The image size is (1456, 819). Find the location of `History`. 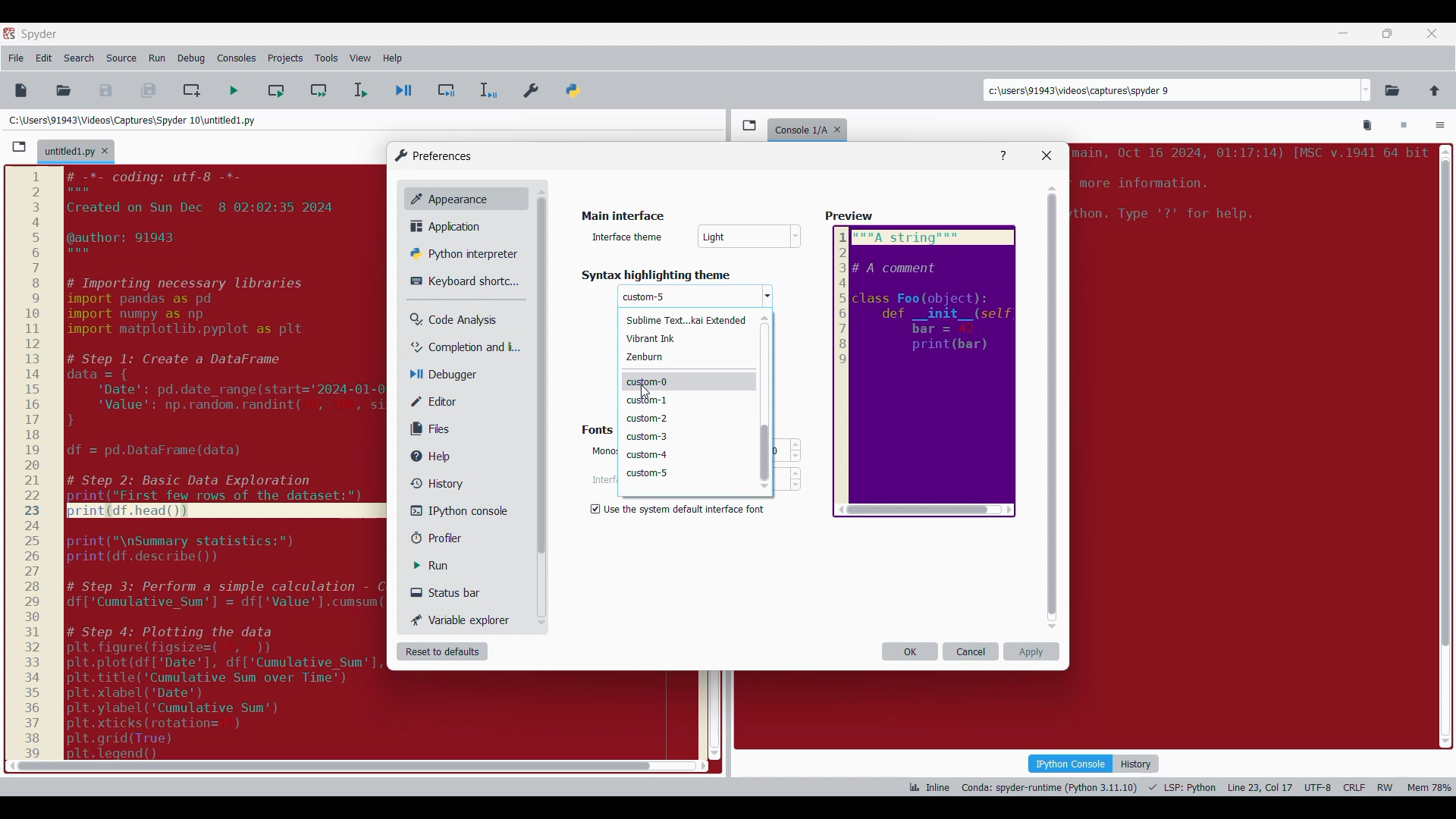

History is located at coordinates (1136, 764).